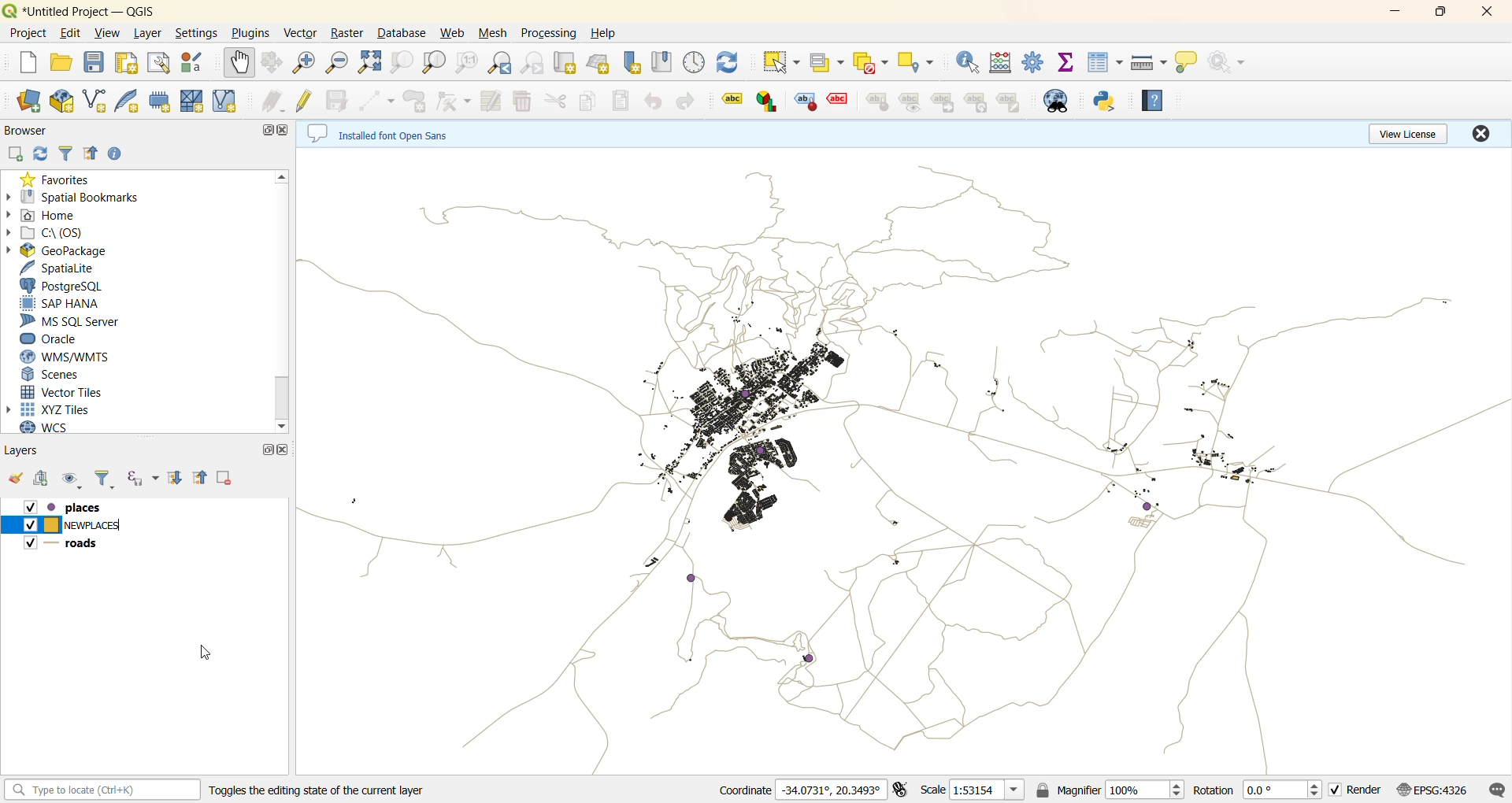 Image resolution: width=1512 pixels, height=803 pixels. What do you see at coordinates (284, 128) in the screenshot?
I see `close` at bounding box center [284, 128].